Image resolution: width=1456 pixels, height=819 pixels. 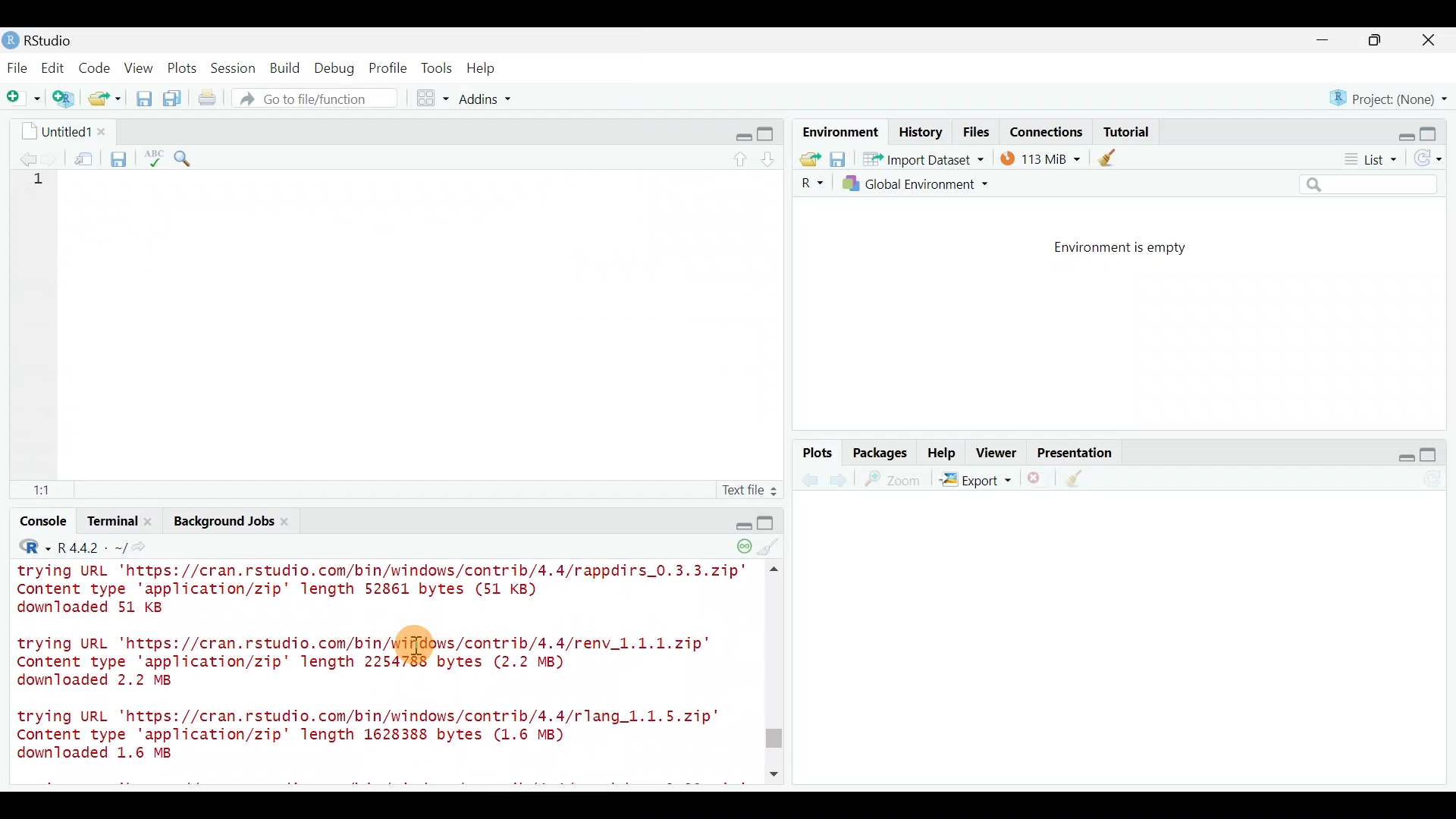 I want to click on go to next section/chunk, so click(x=770, y=156).